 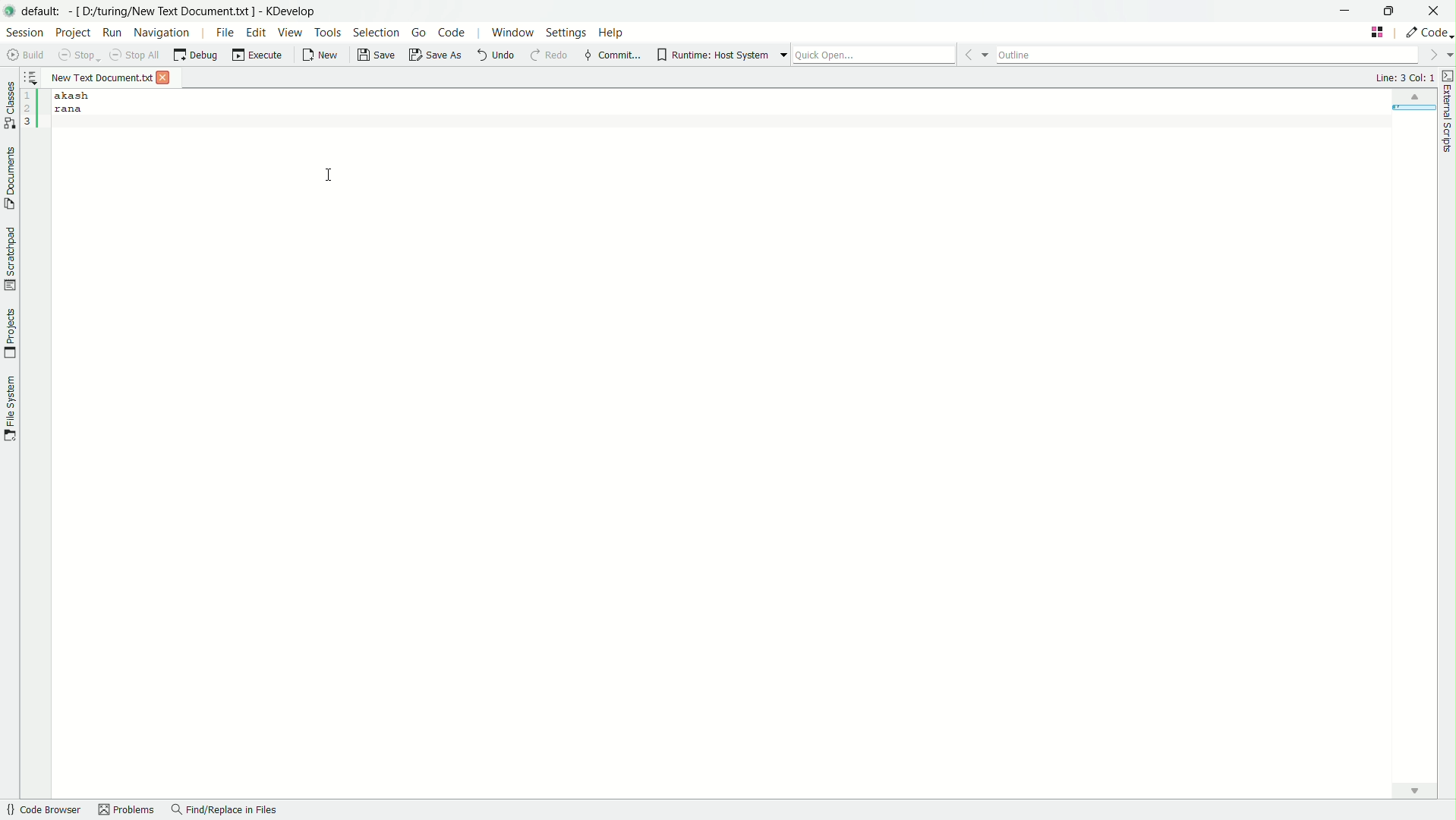 I want to click on quick open, so click(x=873, y=53).